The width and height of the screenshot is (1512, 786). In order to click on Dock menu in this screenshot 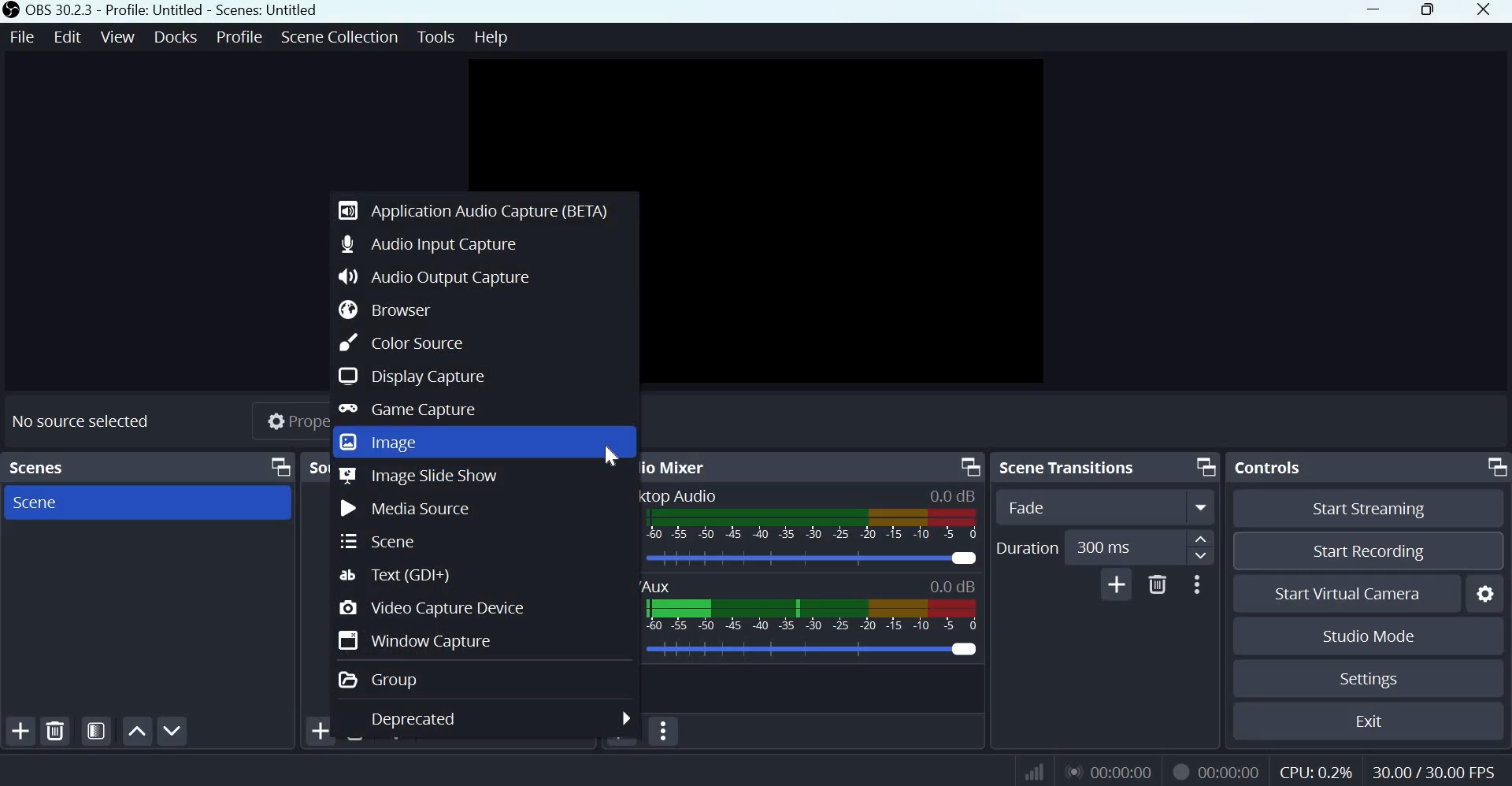, I will do `click(278, 469)`.